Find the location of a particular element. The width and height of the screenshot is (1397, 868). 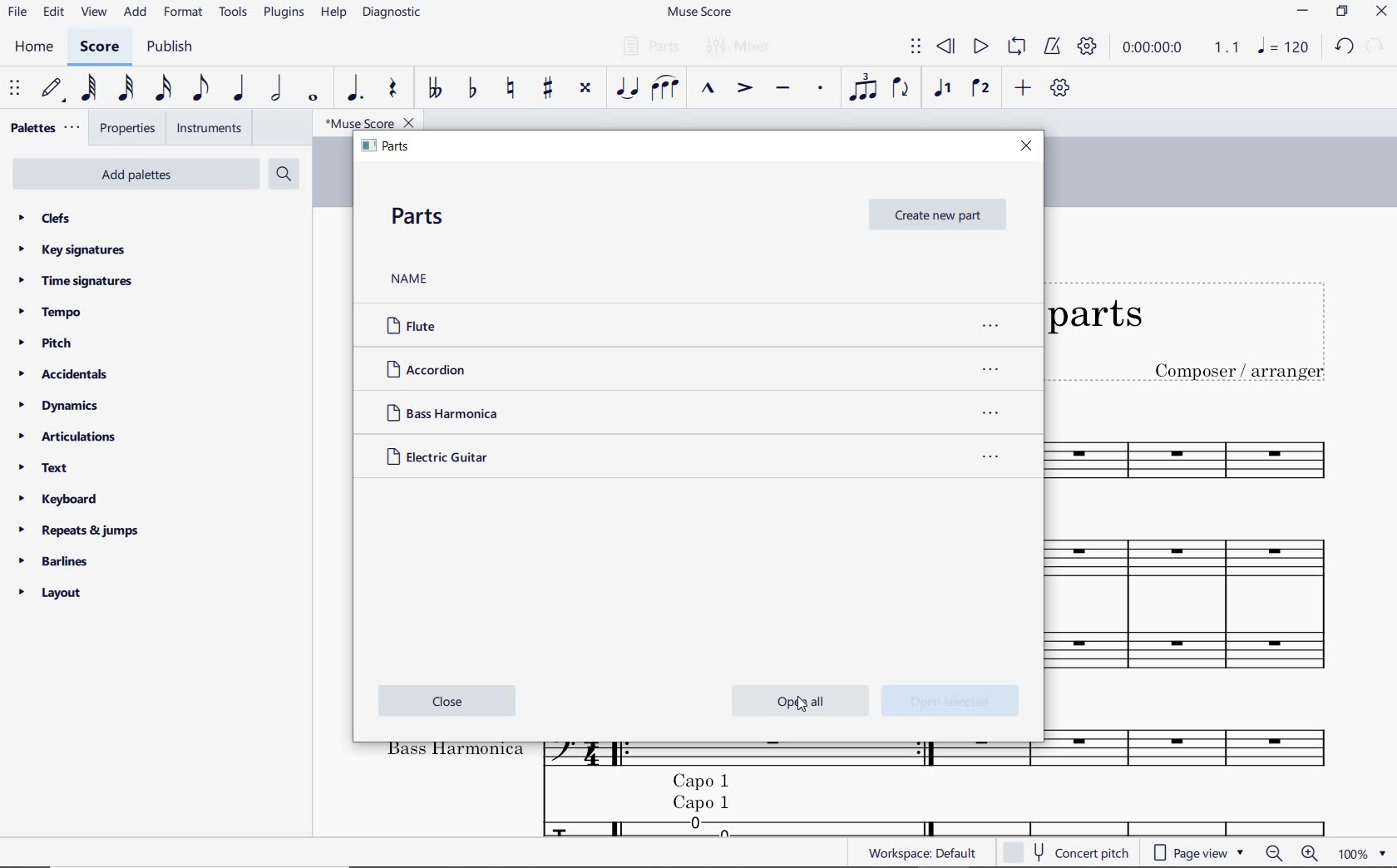

Electric guitar is located at coordinates (914, 826).